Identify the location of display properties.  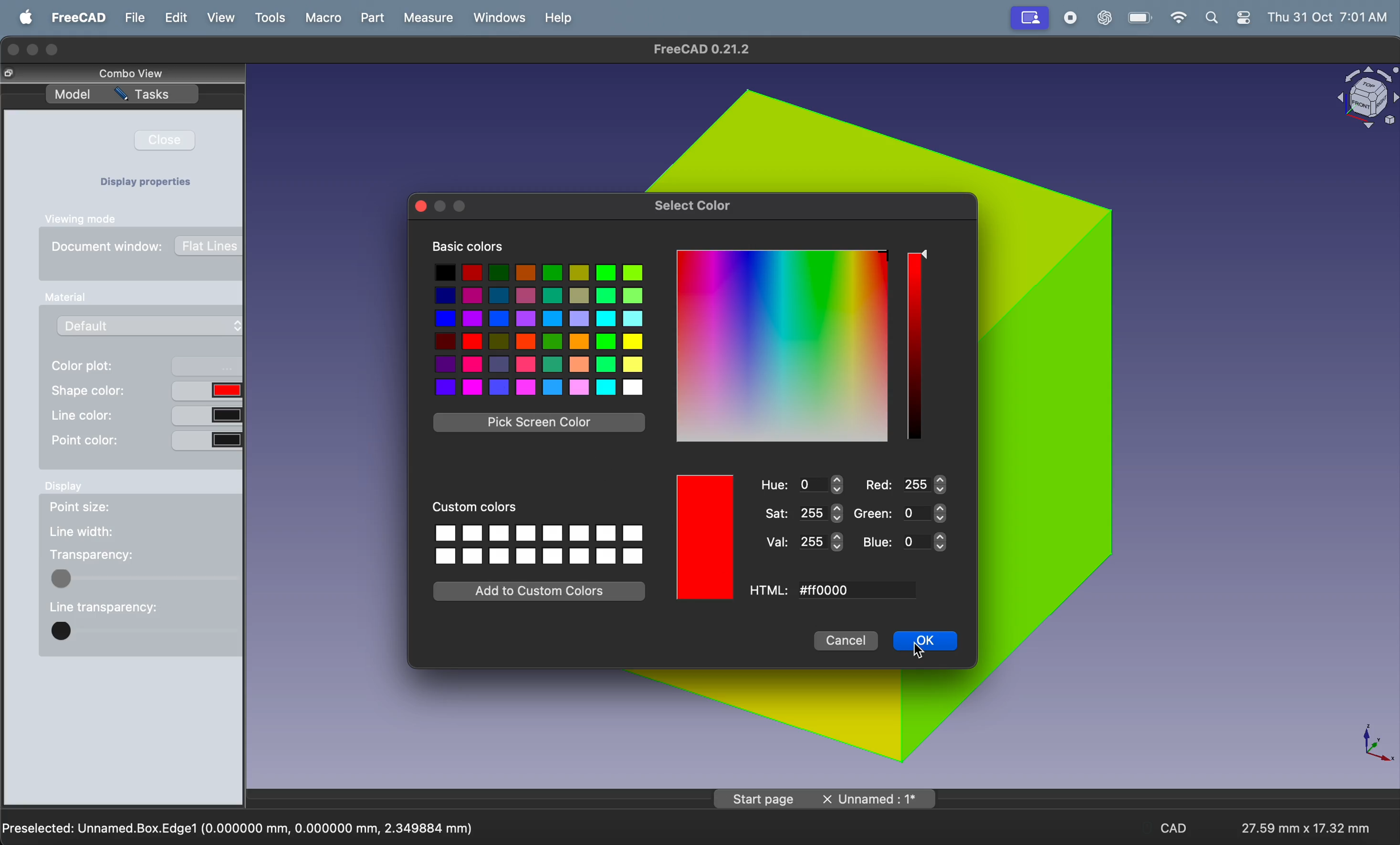
(151, 183).